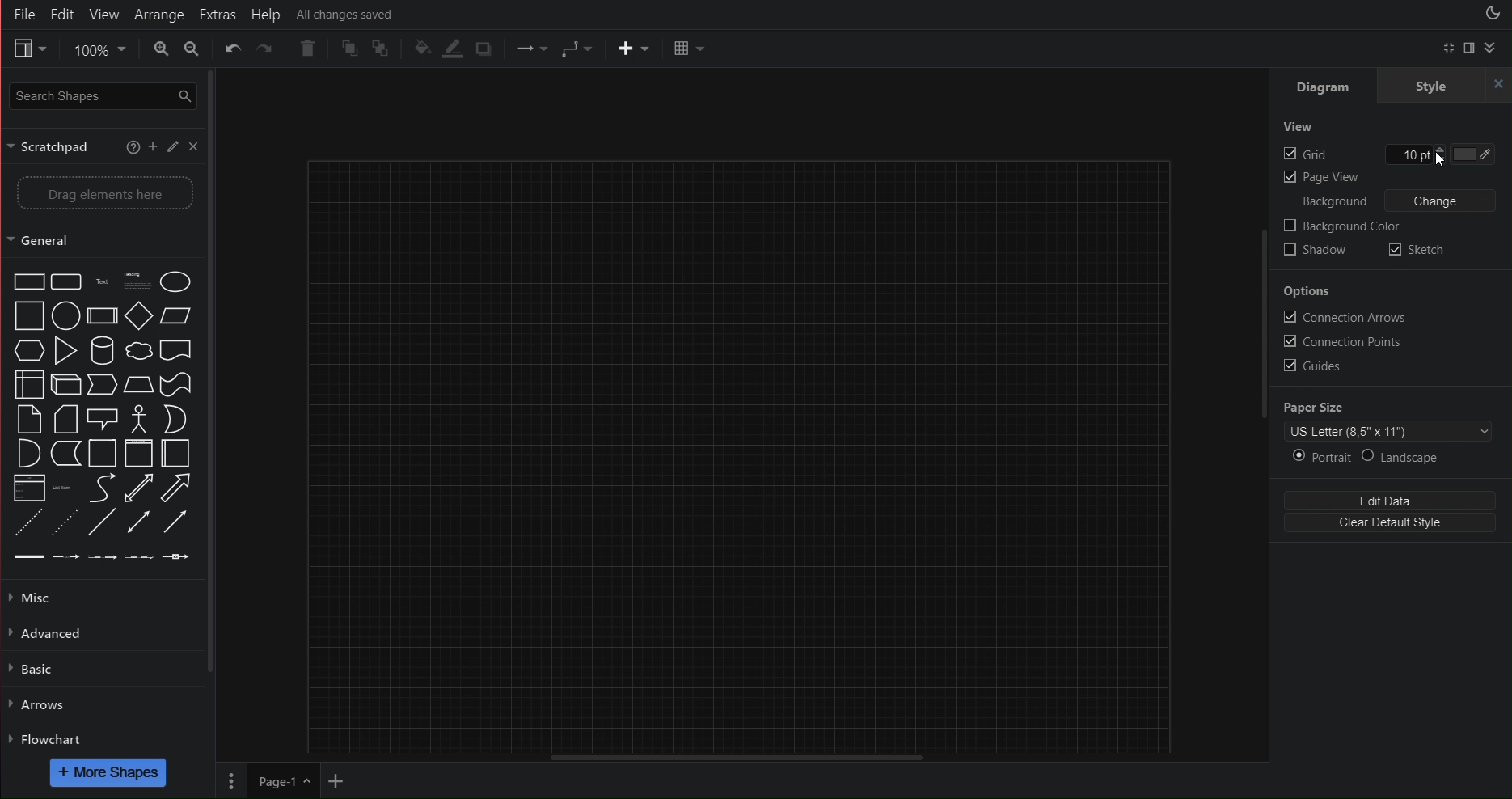 The image size is (1512, 799). Describe the element at coordinates (23, 13) in the screenshot. I see `File ` at that location.